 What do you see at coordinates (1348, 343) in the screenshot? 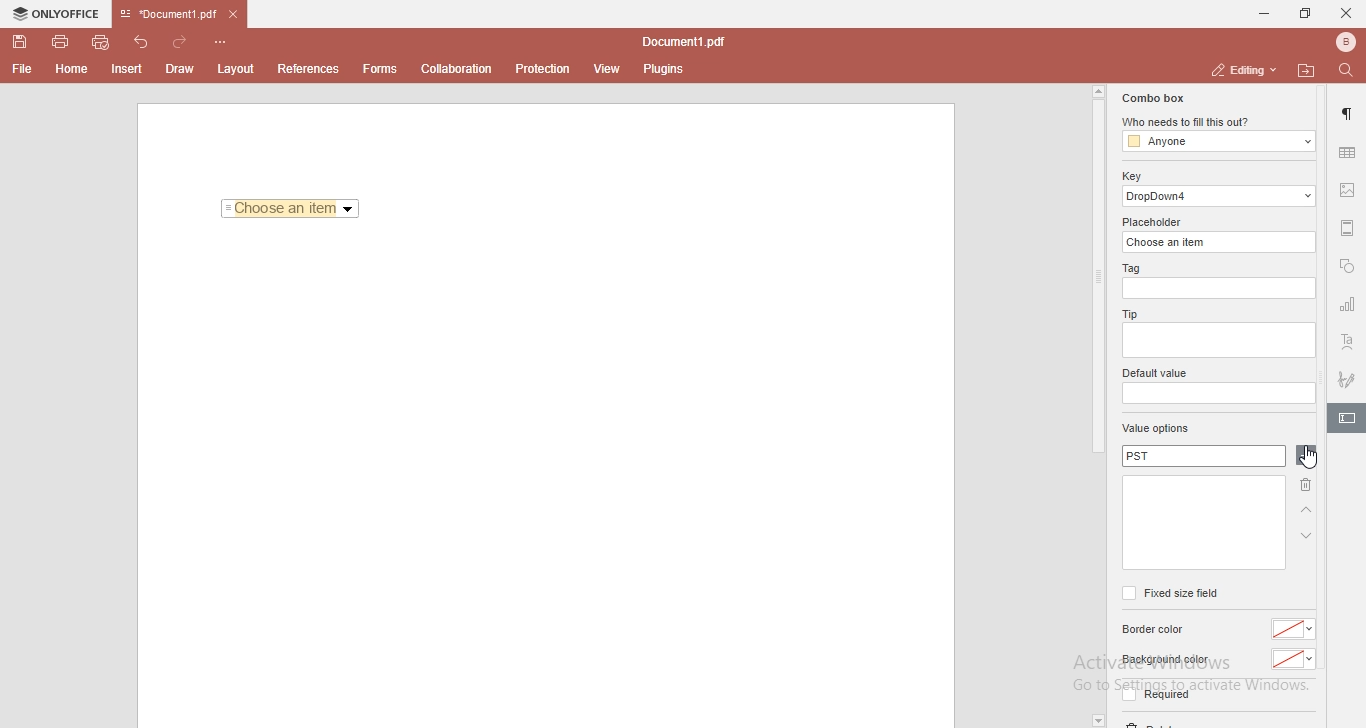
I see `text` at bounding box center [1348, 343].